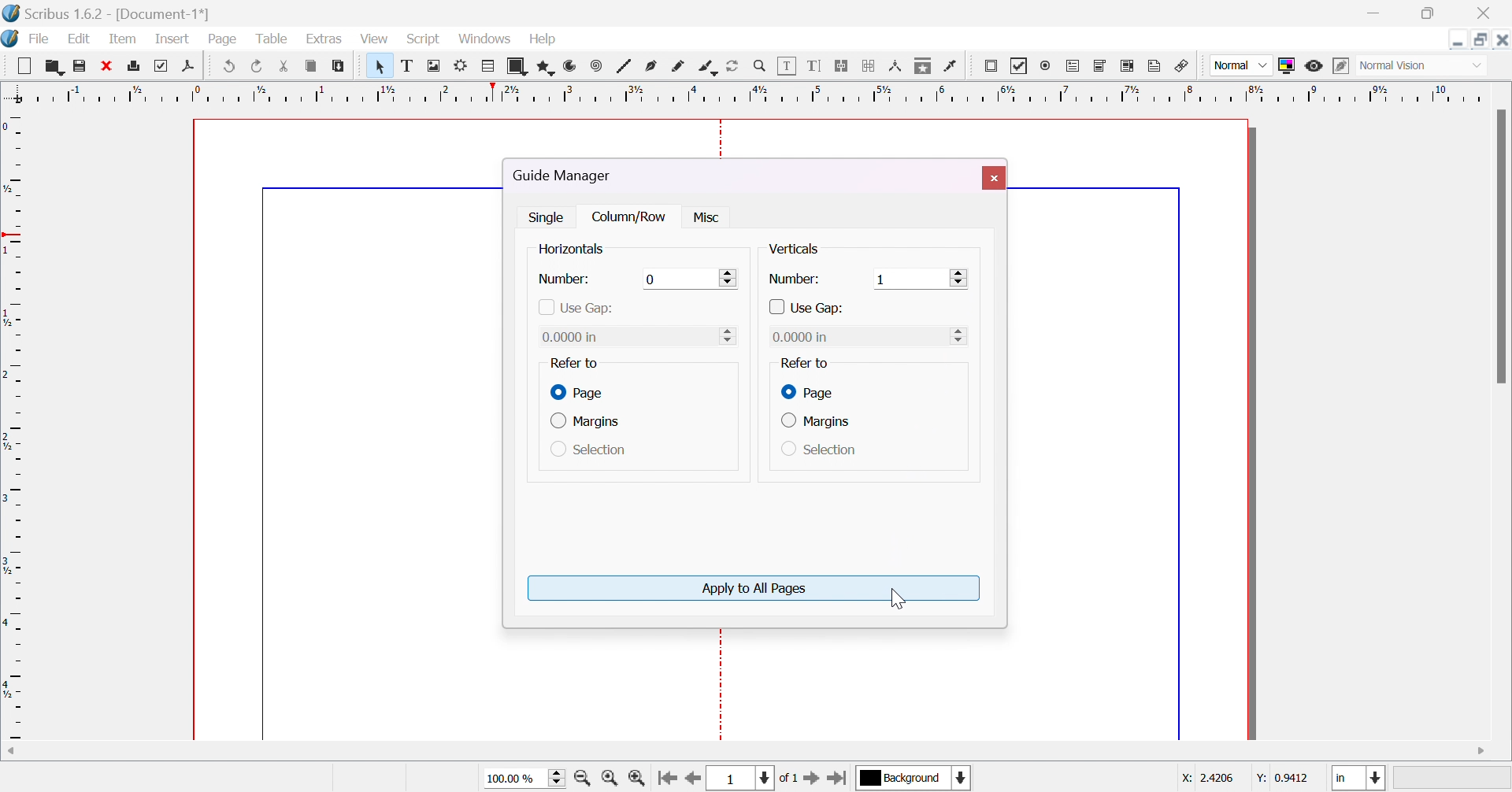 The height and width of the screenshot is (792, 1512). I want to click on PDF list box, so click(1129, 65).